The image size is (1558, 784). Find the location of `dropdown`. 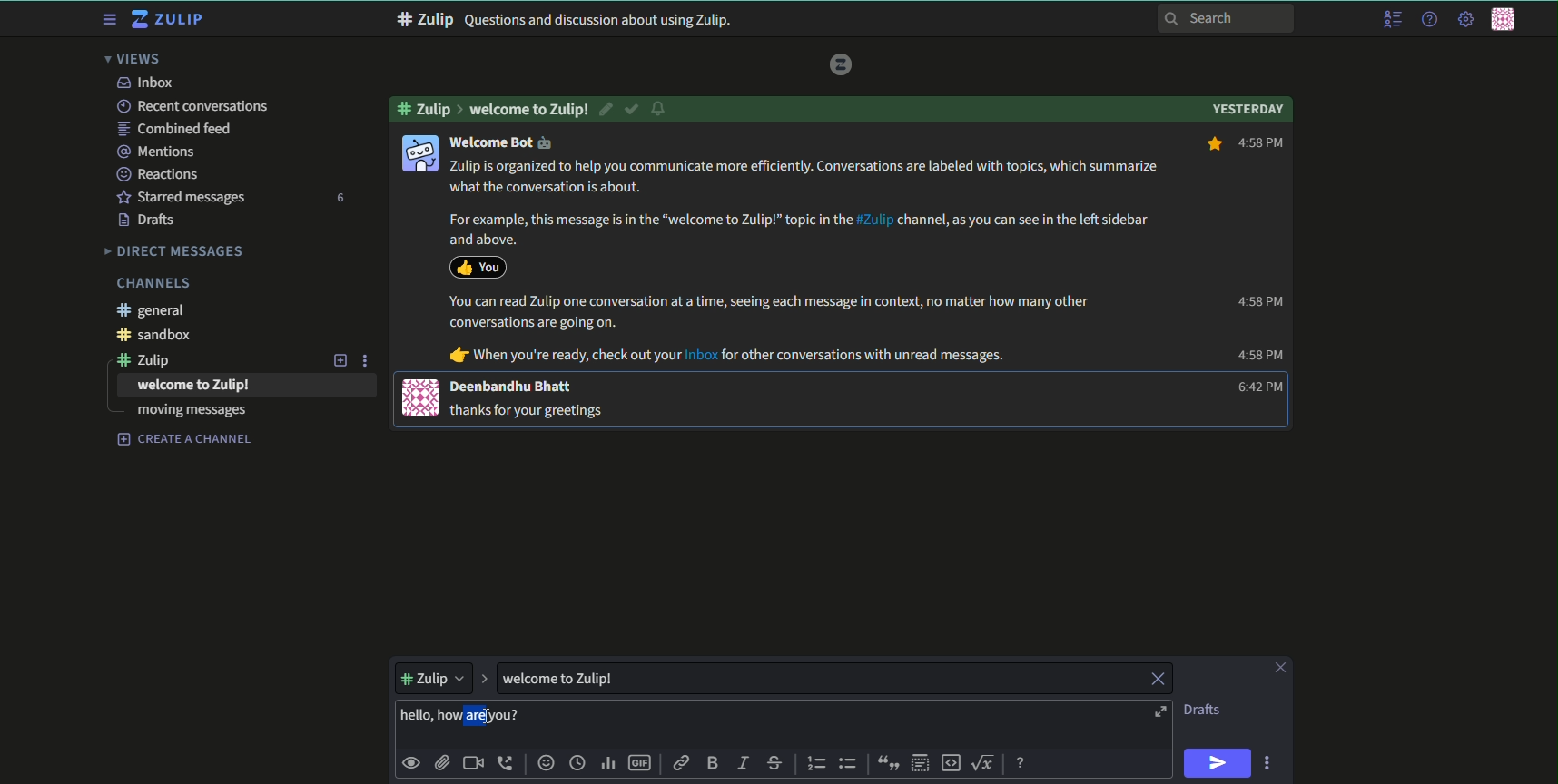

dropdown is located at coordinates (432, 676).